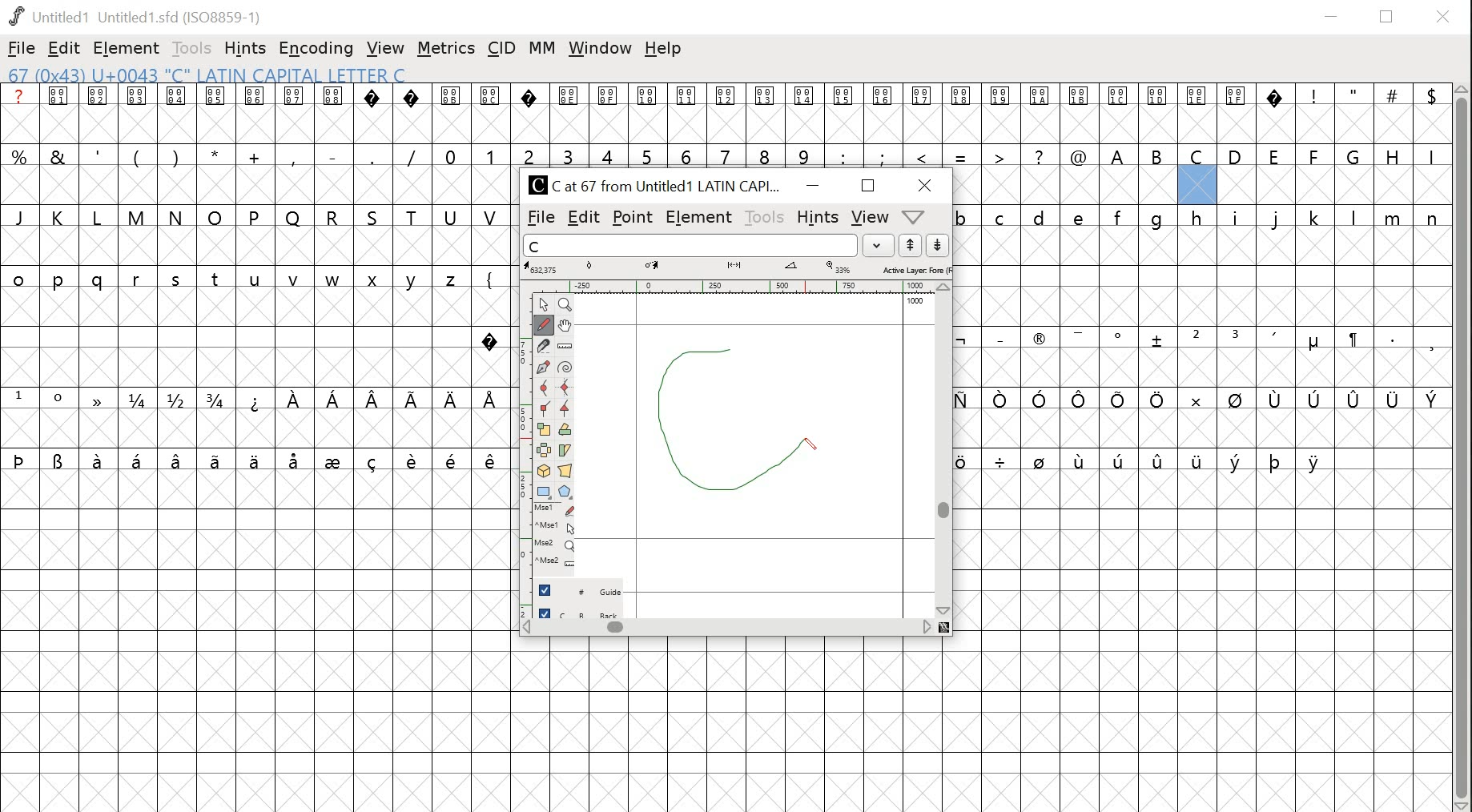 Image resolution: width=1472 pixels, height=812 pixels. I want to click on scrollbar, so click(944, 451).